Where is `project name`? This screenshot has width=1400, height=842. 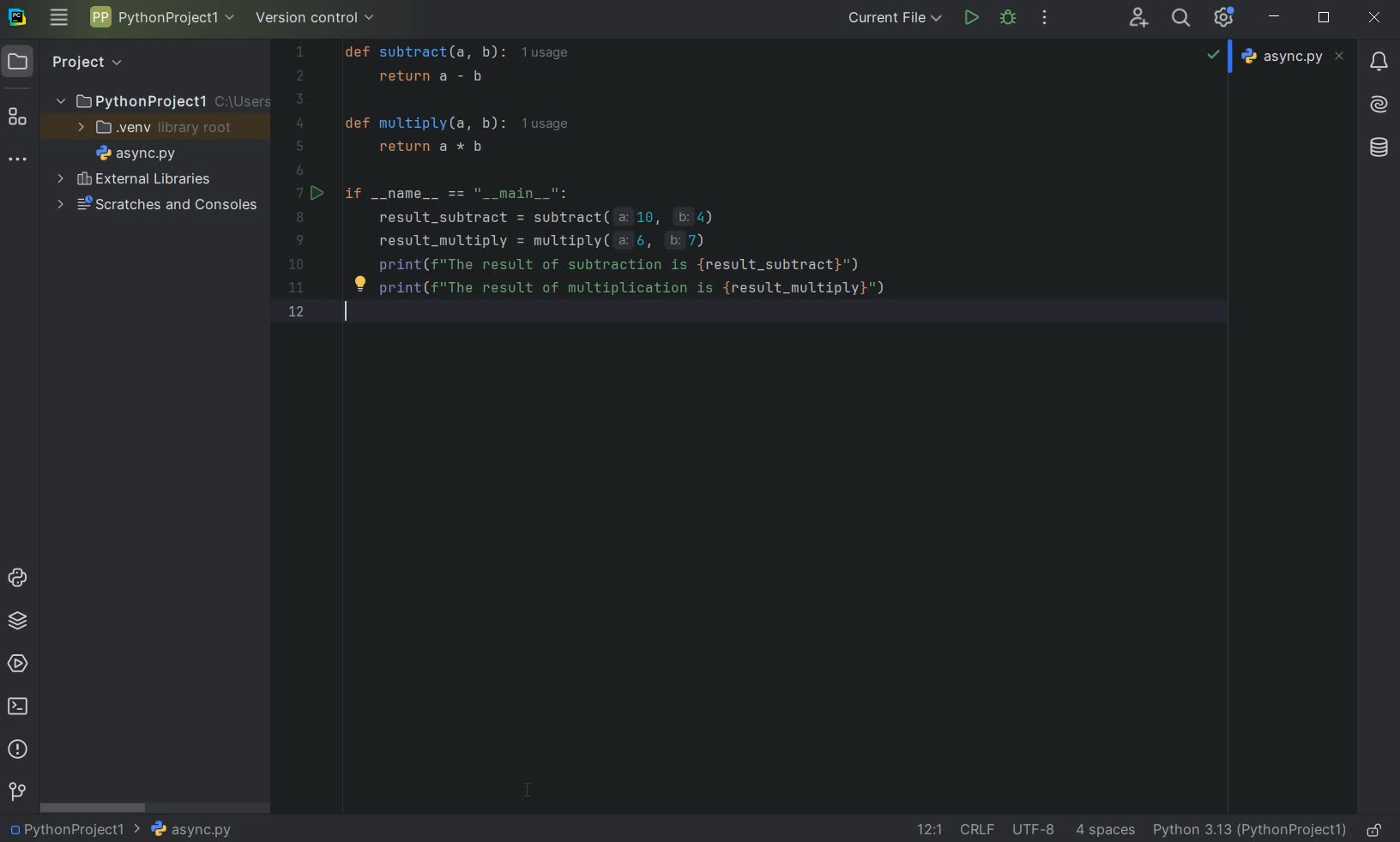
project name is located at coordinates (64, 829).